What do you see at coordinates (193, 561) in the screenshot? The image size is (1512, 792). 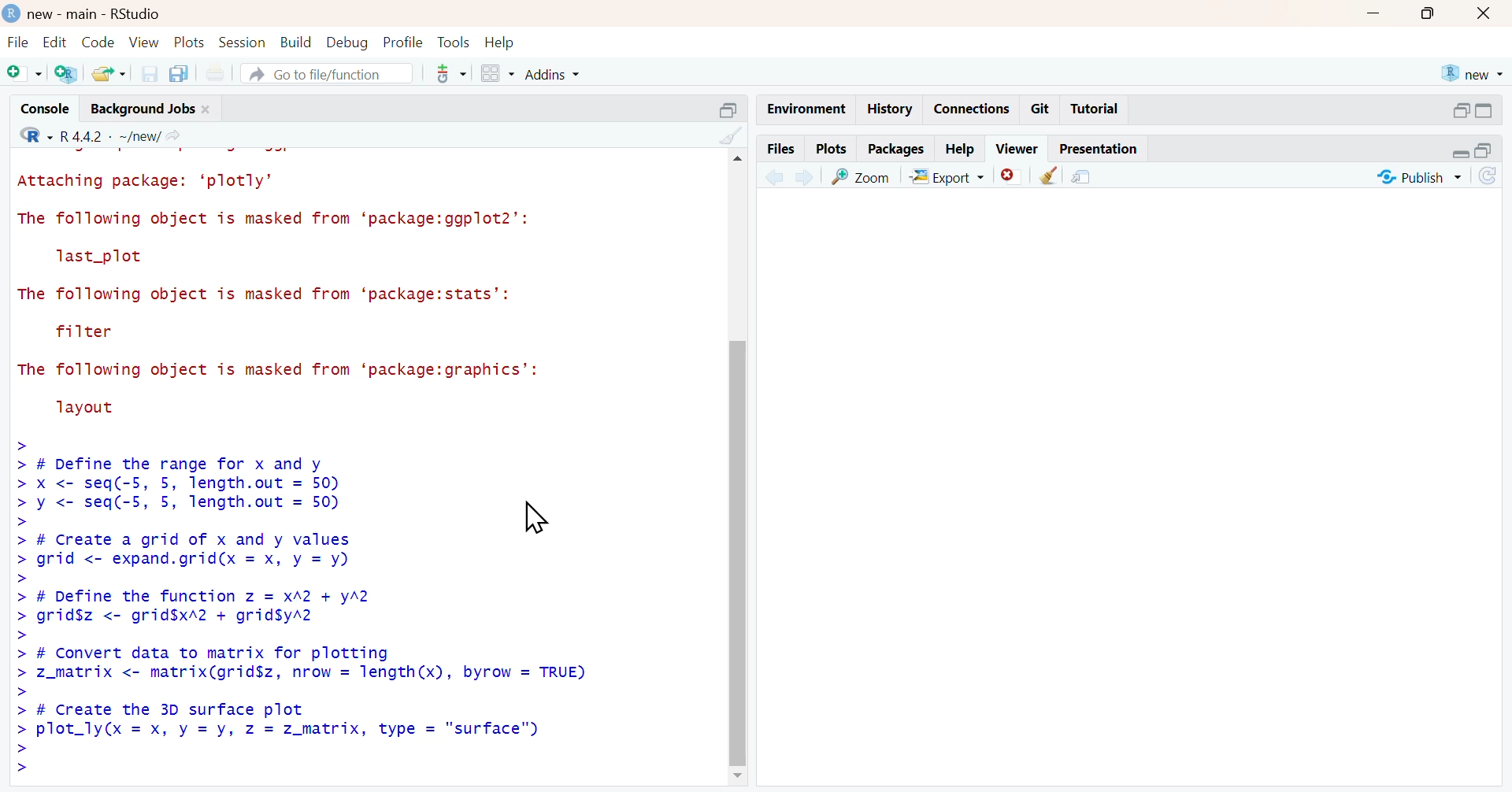 I see `> grid <- expand.grid(x = x, y =y)` at bounding box center [193, 561].